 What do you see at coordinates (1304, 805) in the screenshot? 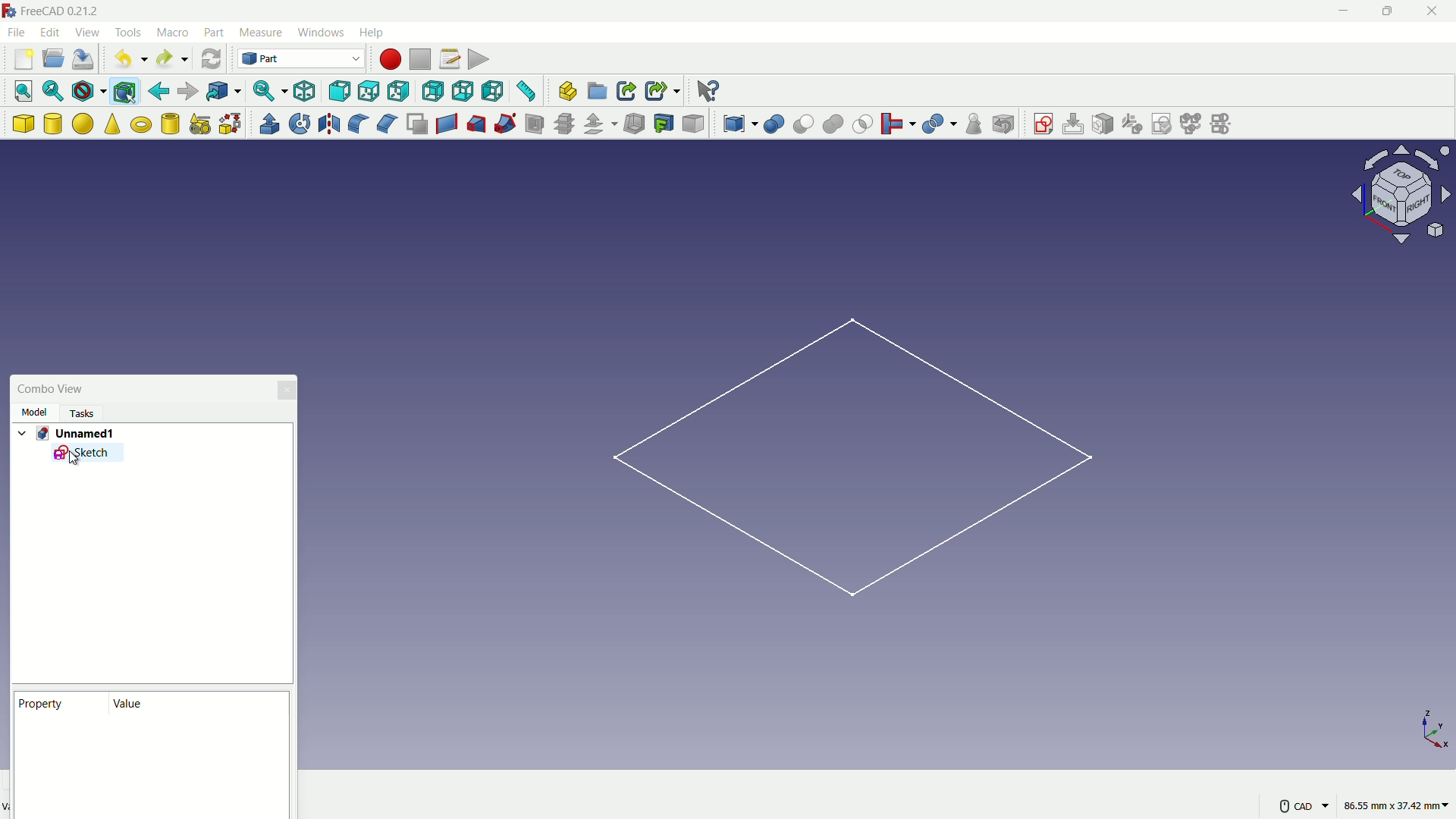
I see `CAD` at bounding box center [1304, 805].